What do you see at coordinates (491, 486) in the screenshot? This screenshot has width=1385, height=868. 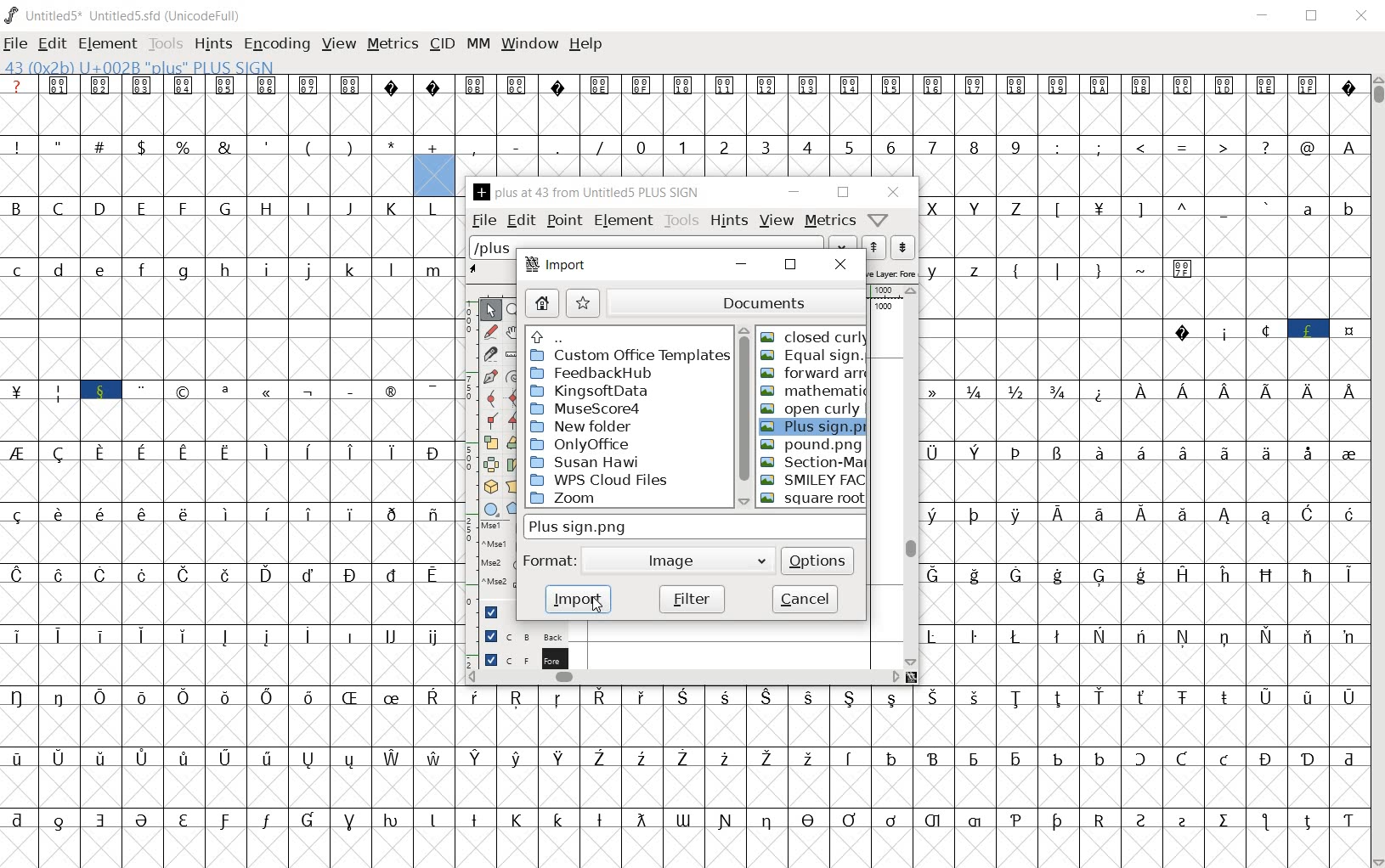 I see `rotate the selection in 3D and project back to plane` at bounding box center [491, 486].